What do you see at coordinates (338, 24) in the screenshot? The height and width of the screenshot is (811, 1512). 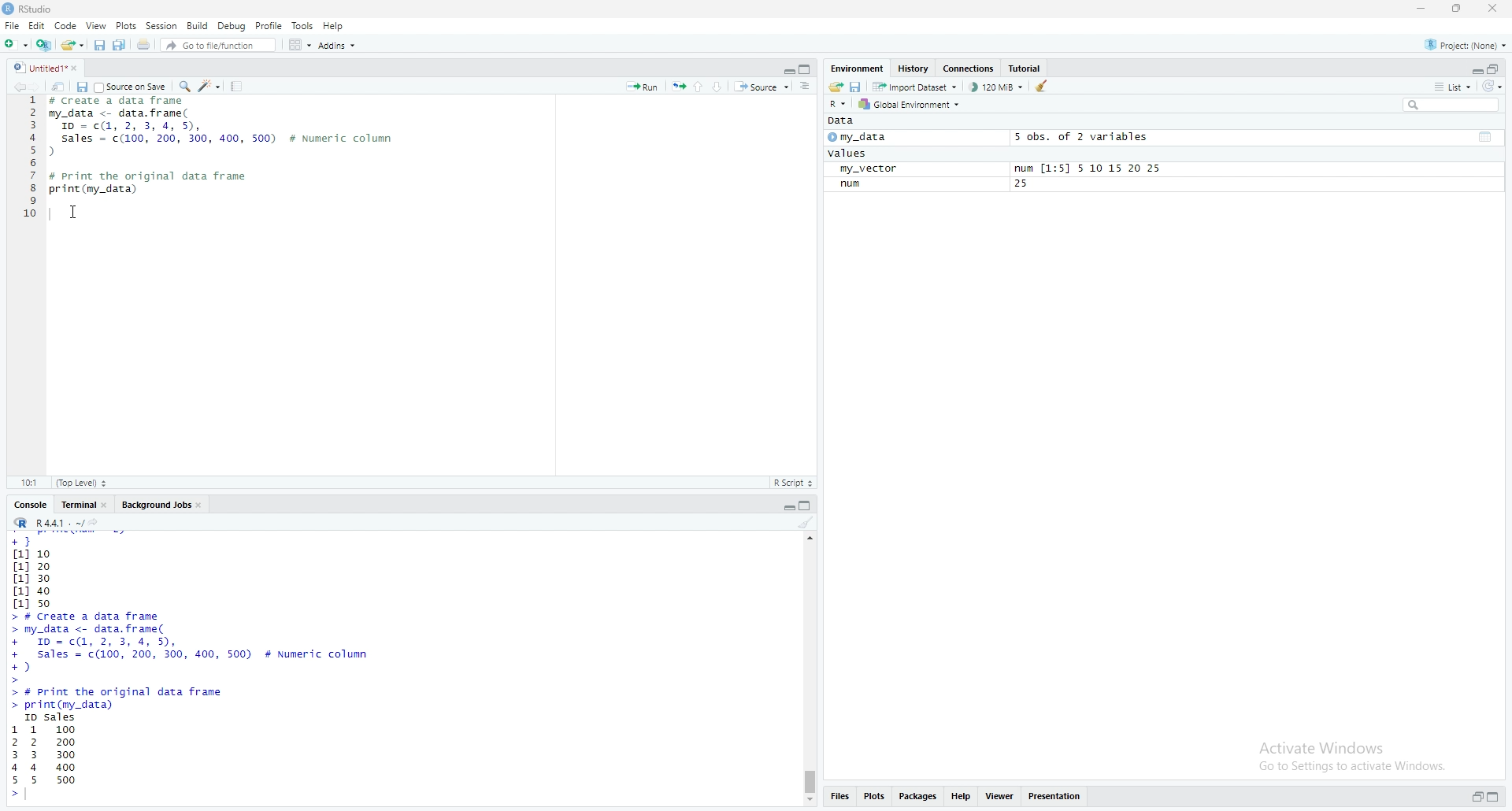 I see `Help` at bounding box center [338, 24].